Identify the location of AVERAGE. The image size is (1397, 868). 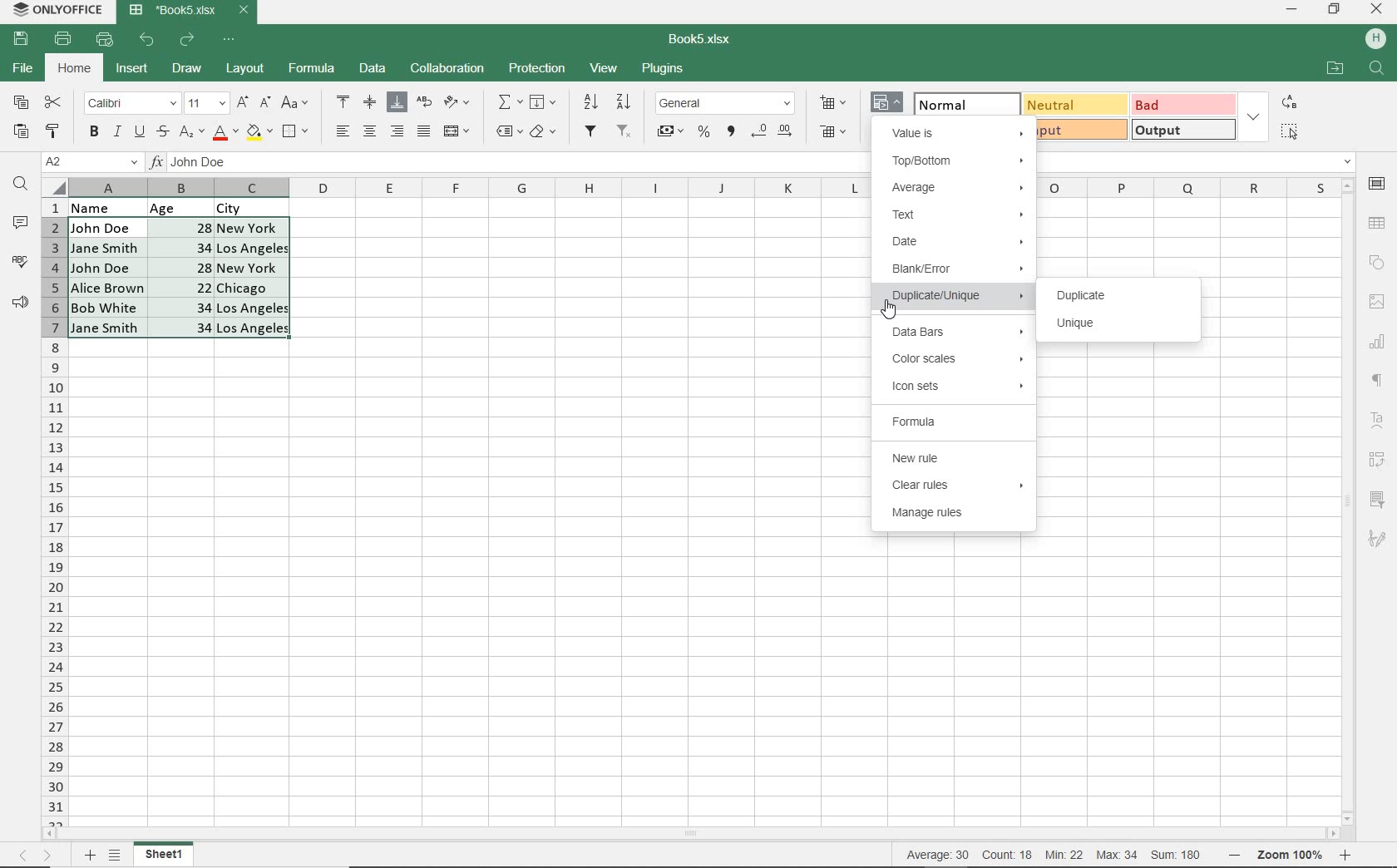
(959, 186).